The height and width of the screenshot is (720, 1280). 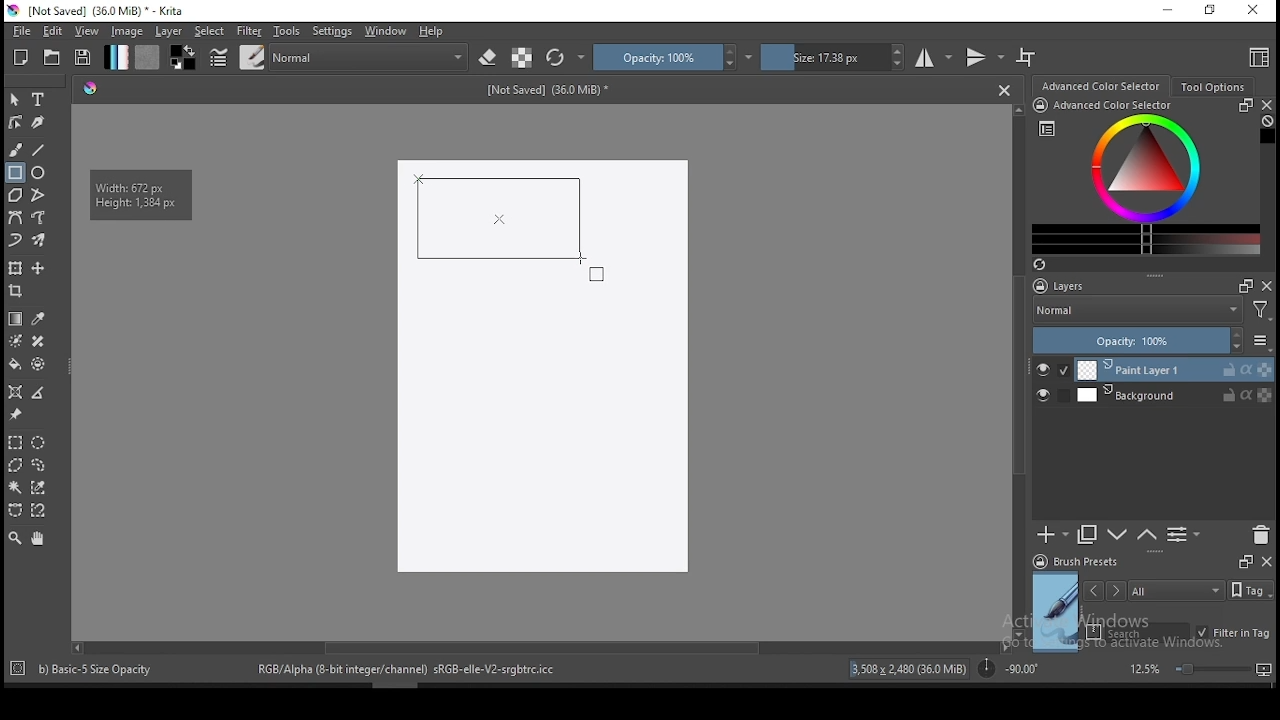 What do you see at coordinates (135, 193) in the screenshot?
I see `width and height` at bounding box center [135, 193].